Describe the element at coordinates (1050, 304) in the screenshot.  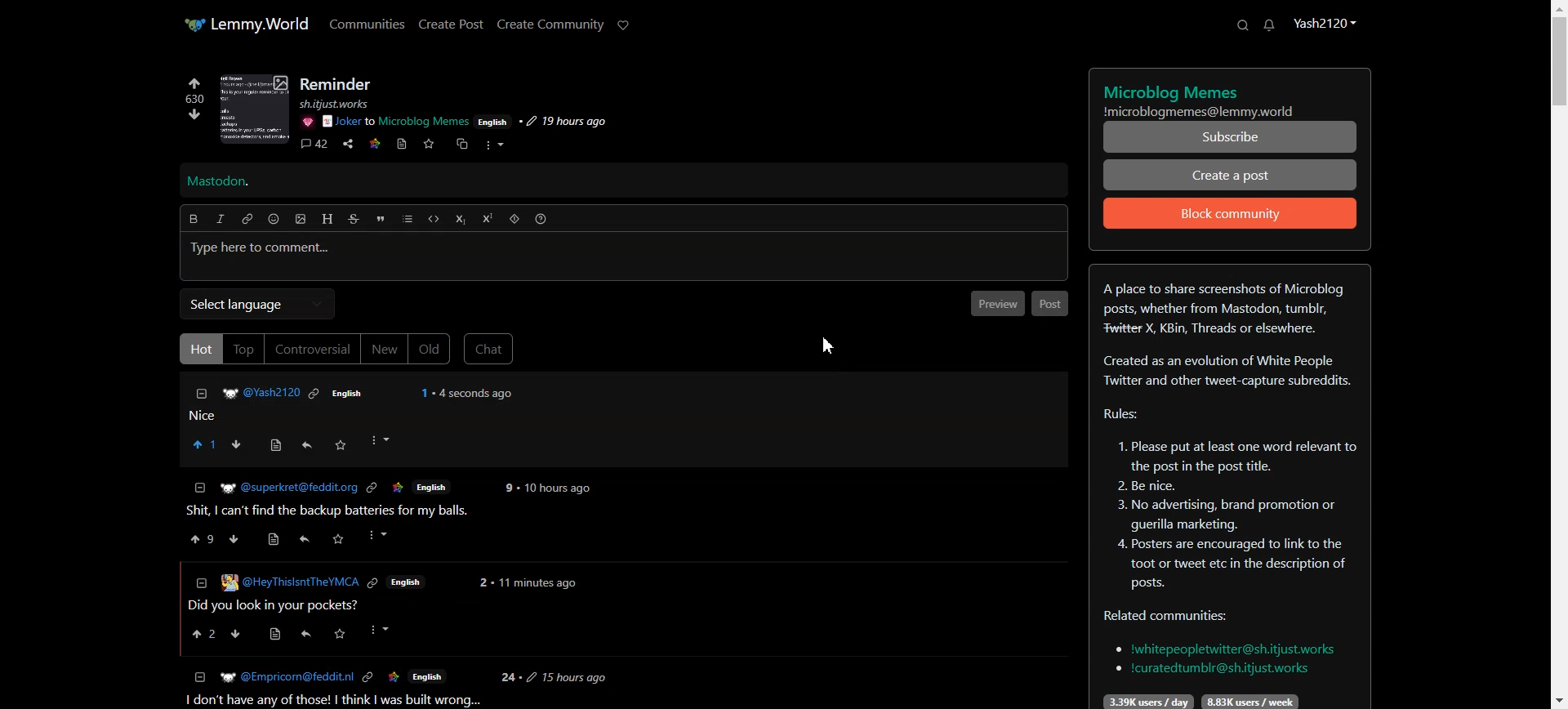
I see `Post` at that location.